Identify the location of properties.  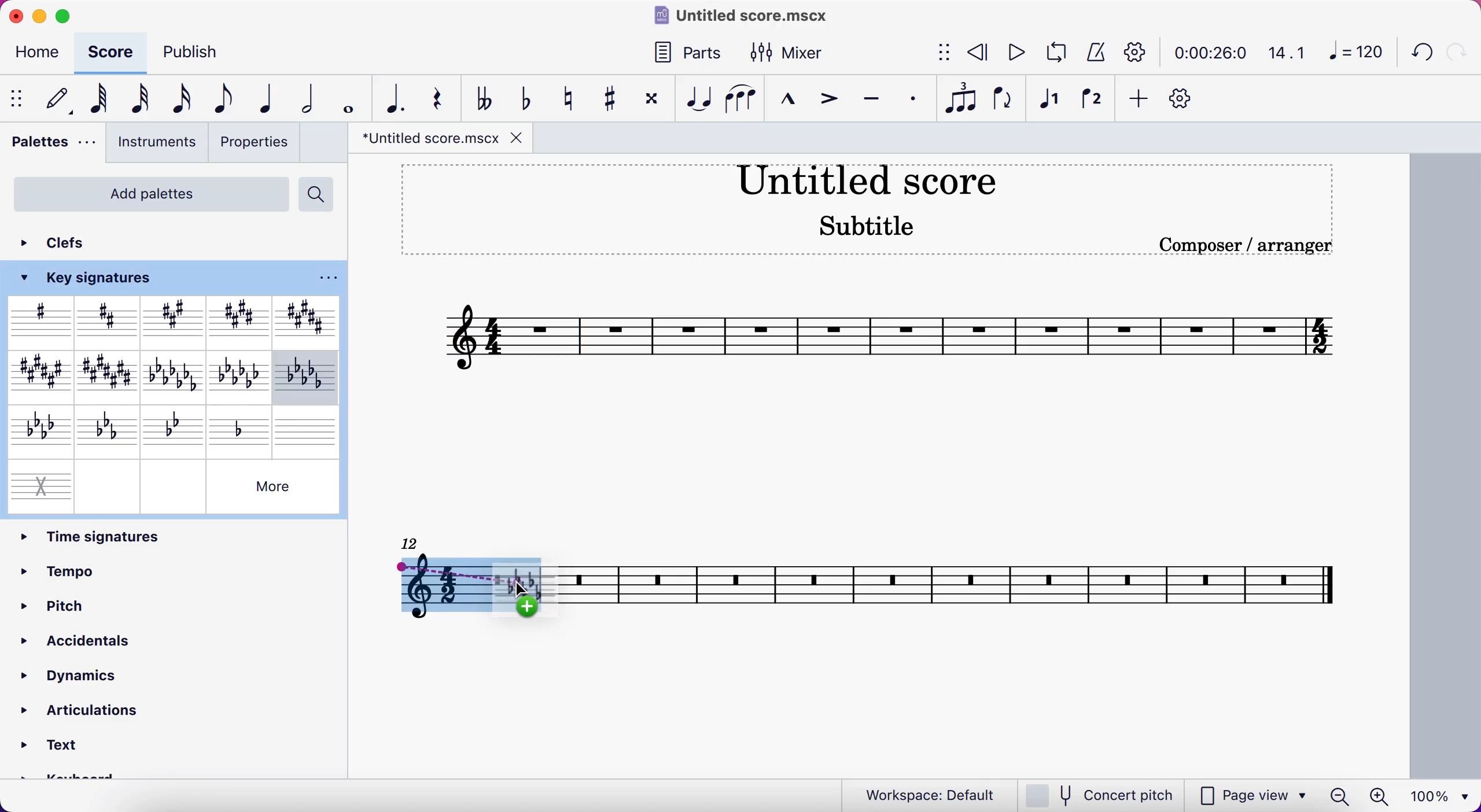
(256, 144).